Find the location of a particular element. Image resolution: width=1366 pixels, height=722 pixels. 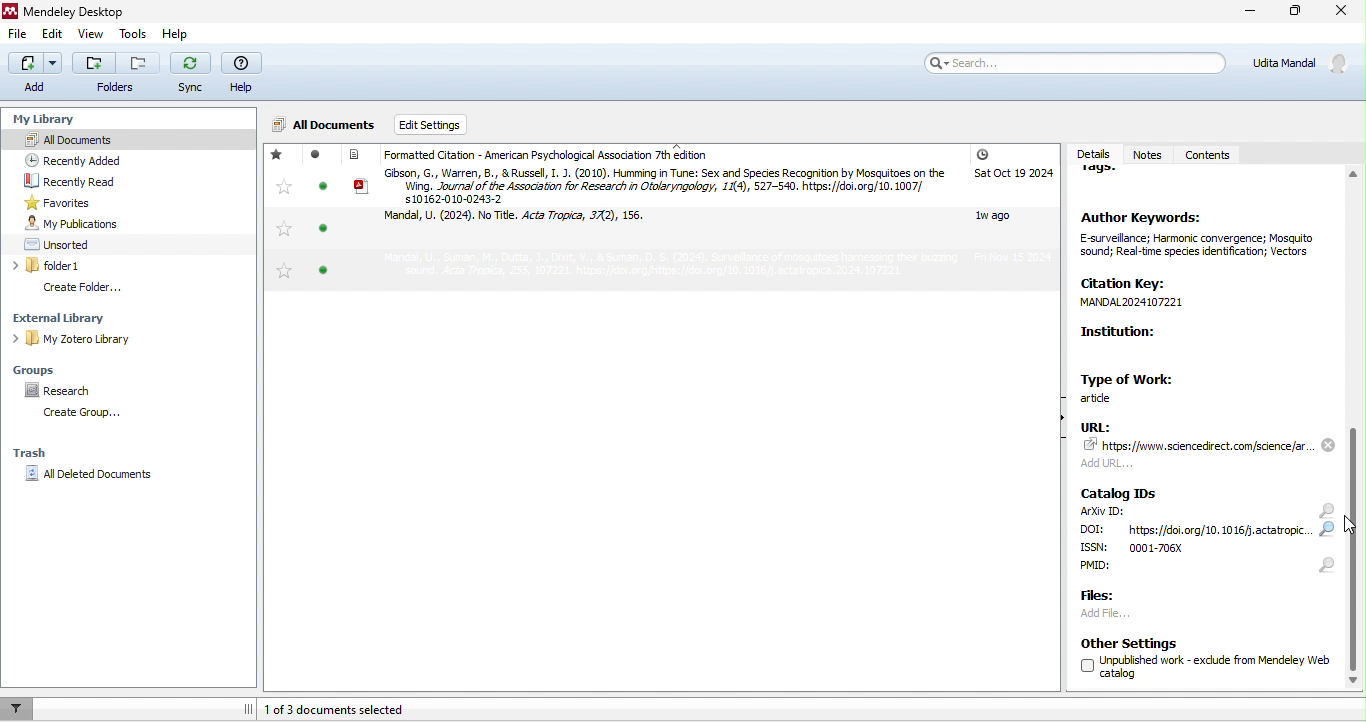

files is located at coordinates (1104, 597).